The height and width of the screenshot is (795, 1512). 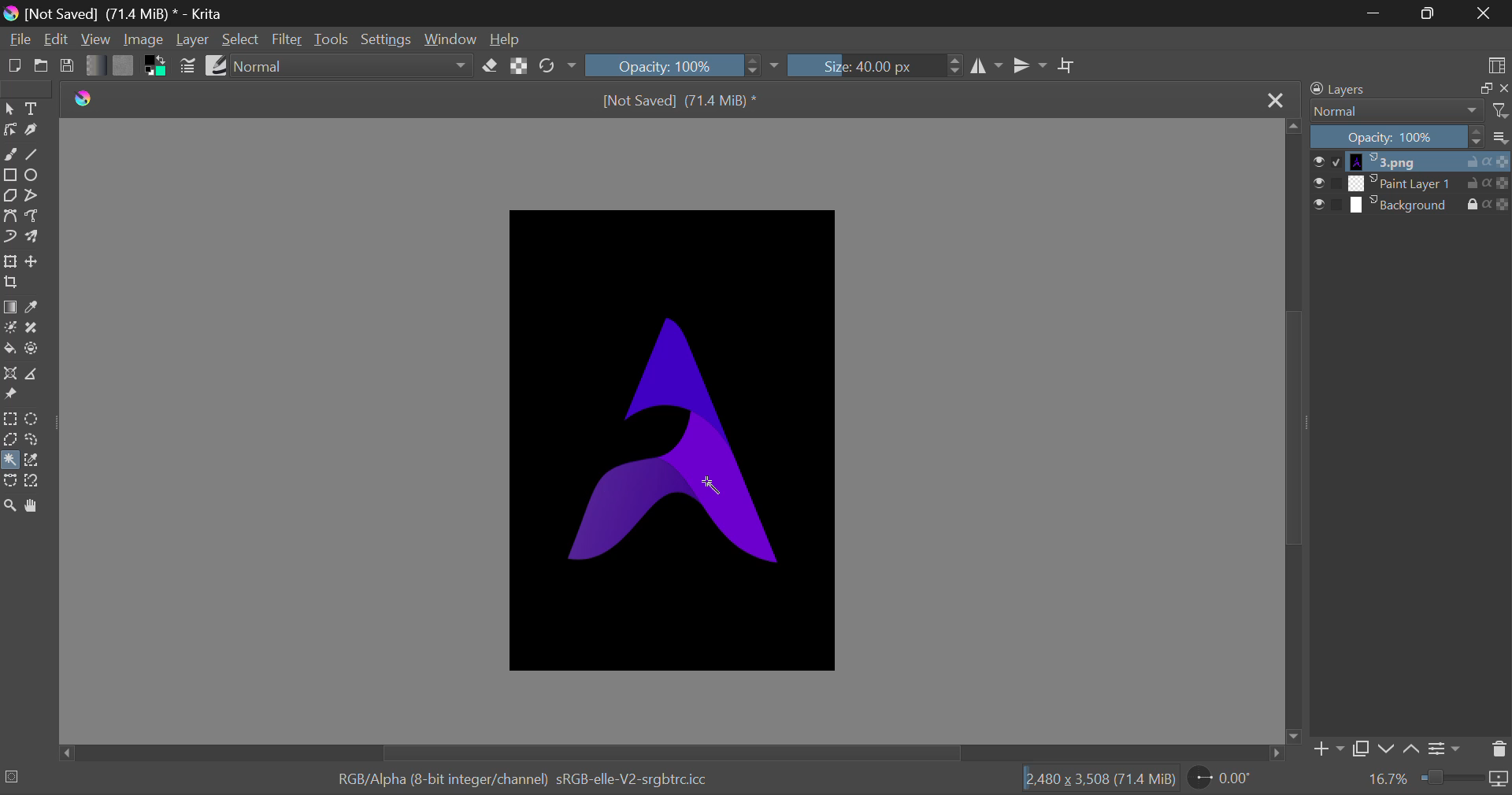 I want to click on Zoom slider, so click(x=1451, y=777).